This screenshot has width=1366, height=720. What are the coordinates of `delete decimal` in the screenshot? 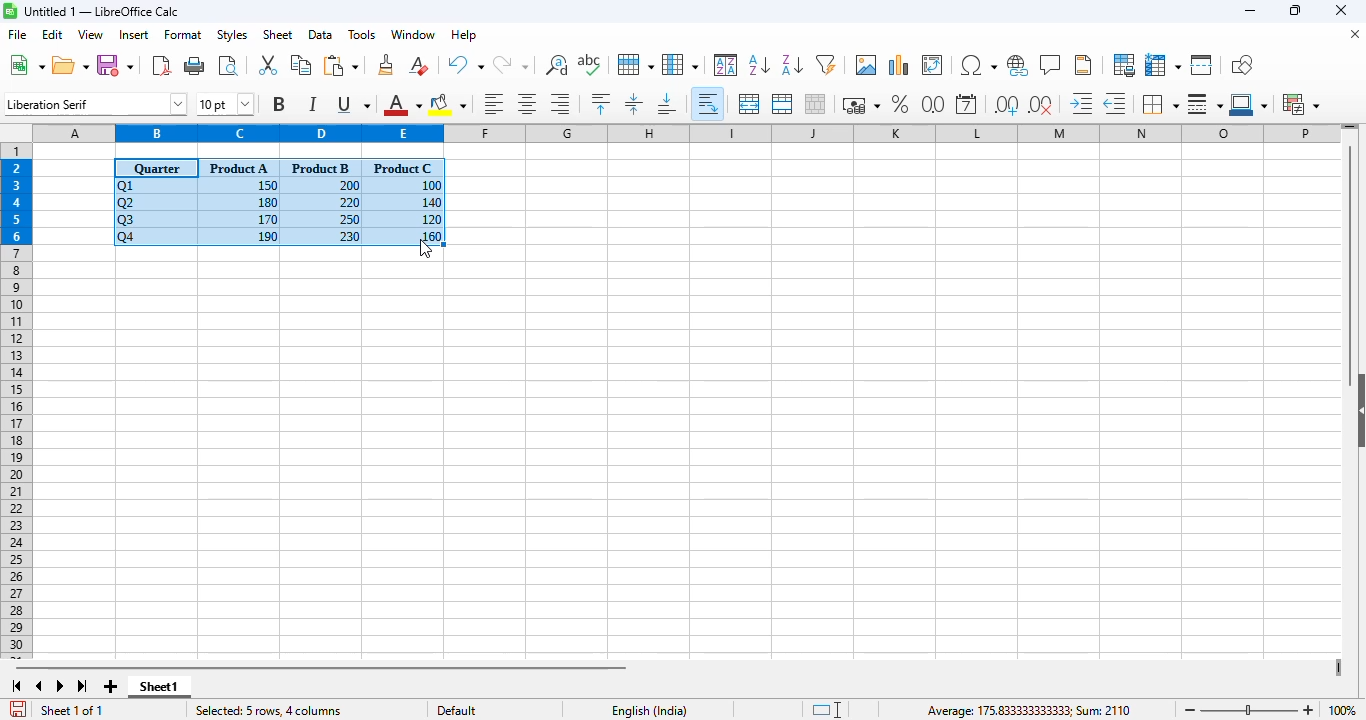 It's located at (1041, 104).